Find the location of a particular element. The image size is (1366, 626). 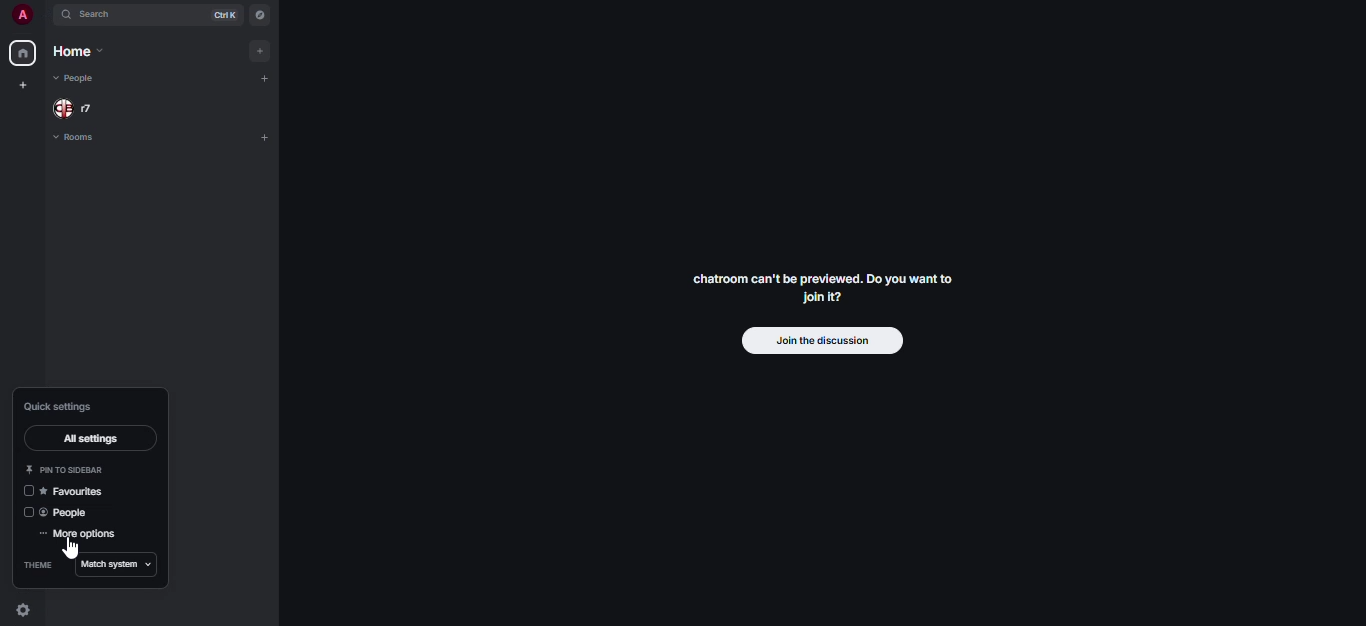

add is located at coordinates (259, 51).